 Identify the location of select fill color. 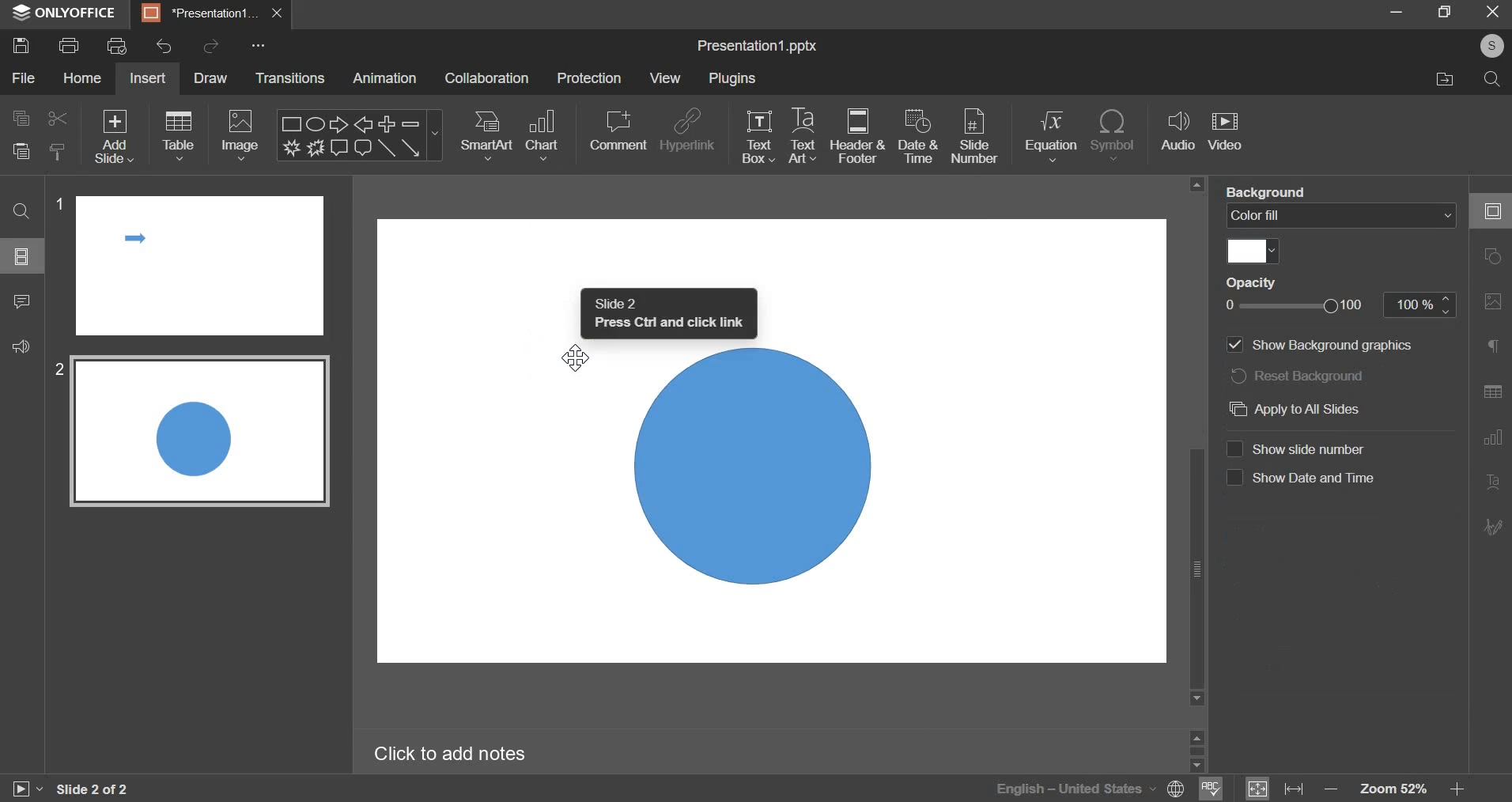
(1254, 251).